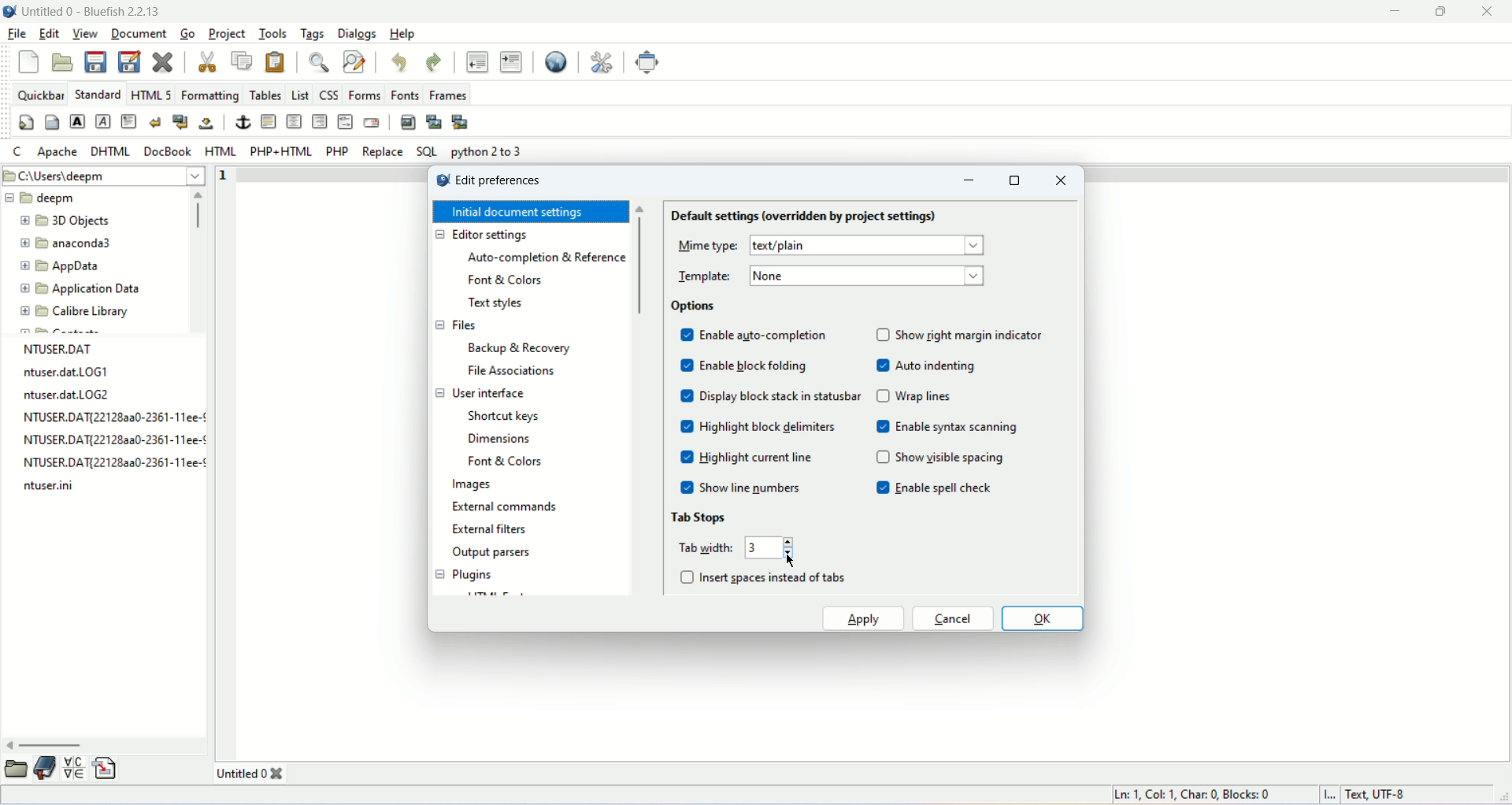  Describe the element at coordinates (1443, 12) in the screenshot. I see `maximize` at that location.